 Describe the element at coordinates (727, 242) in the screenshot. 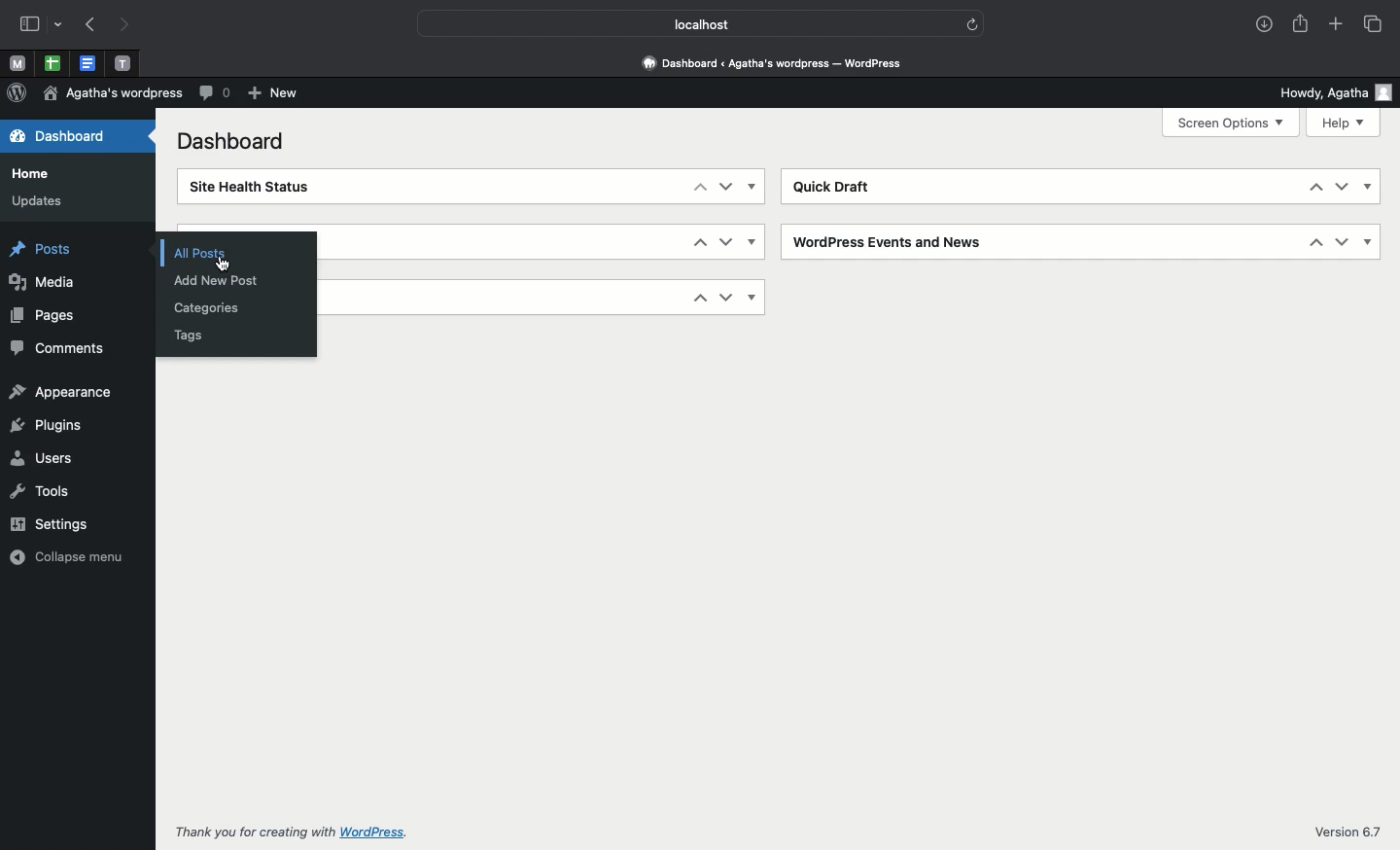

I see `Down` at that location.